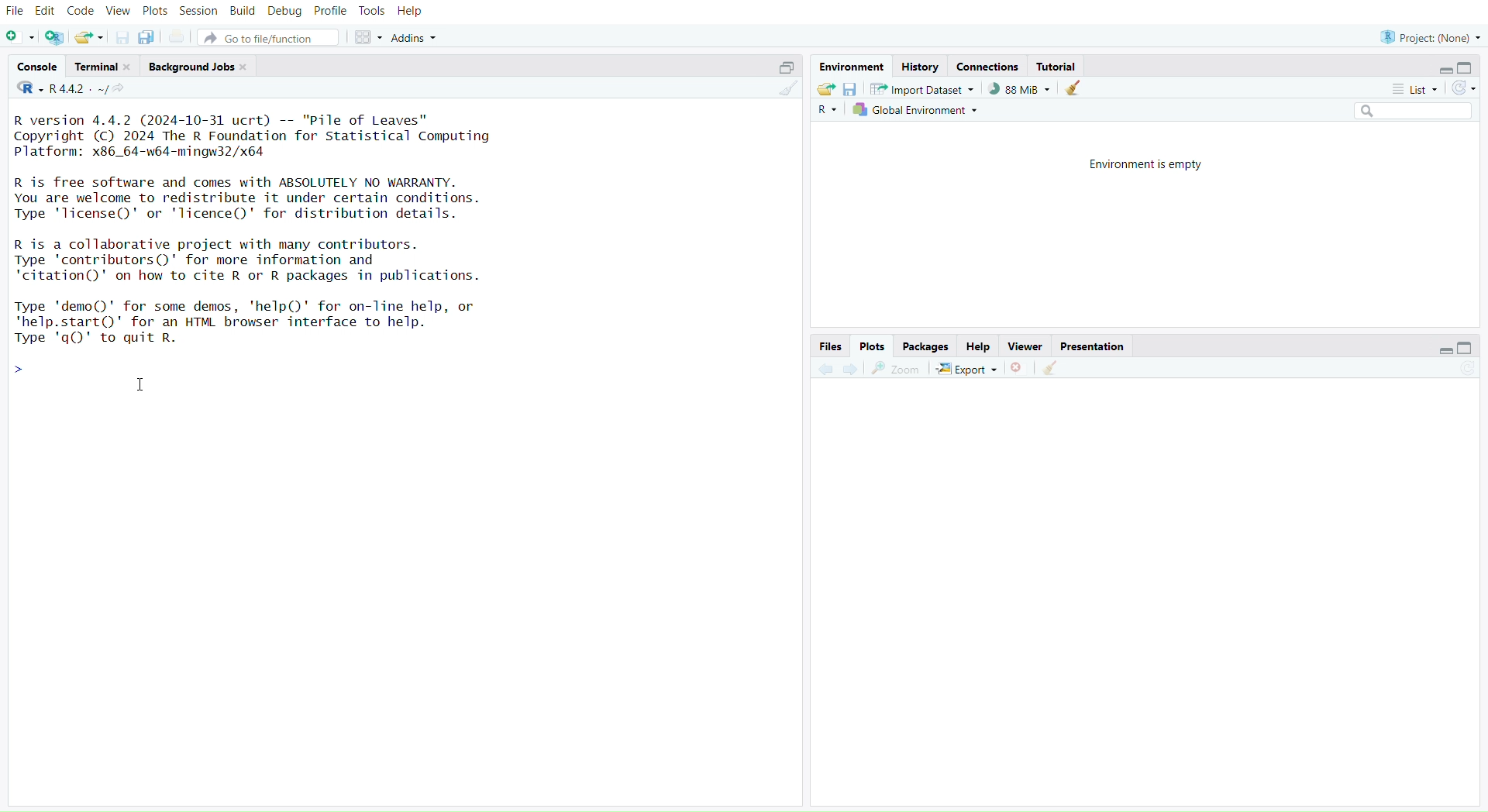 Image resolution: width=1488 pixels, height=812 pixels. What do you see at coordinates (1438, 352) in the screenshot?
I see `expand` at bounding box center [1438, 352].